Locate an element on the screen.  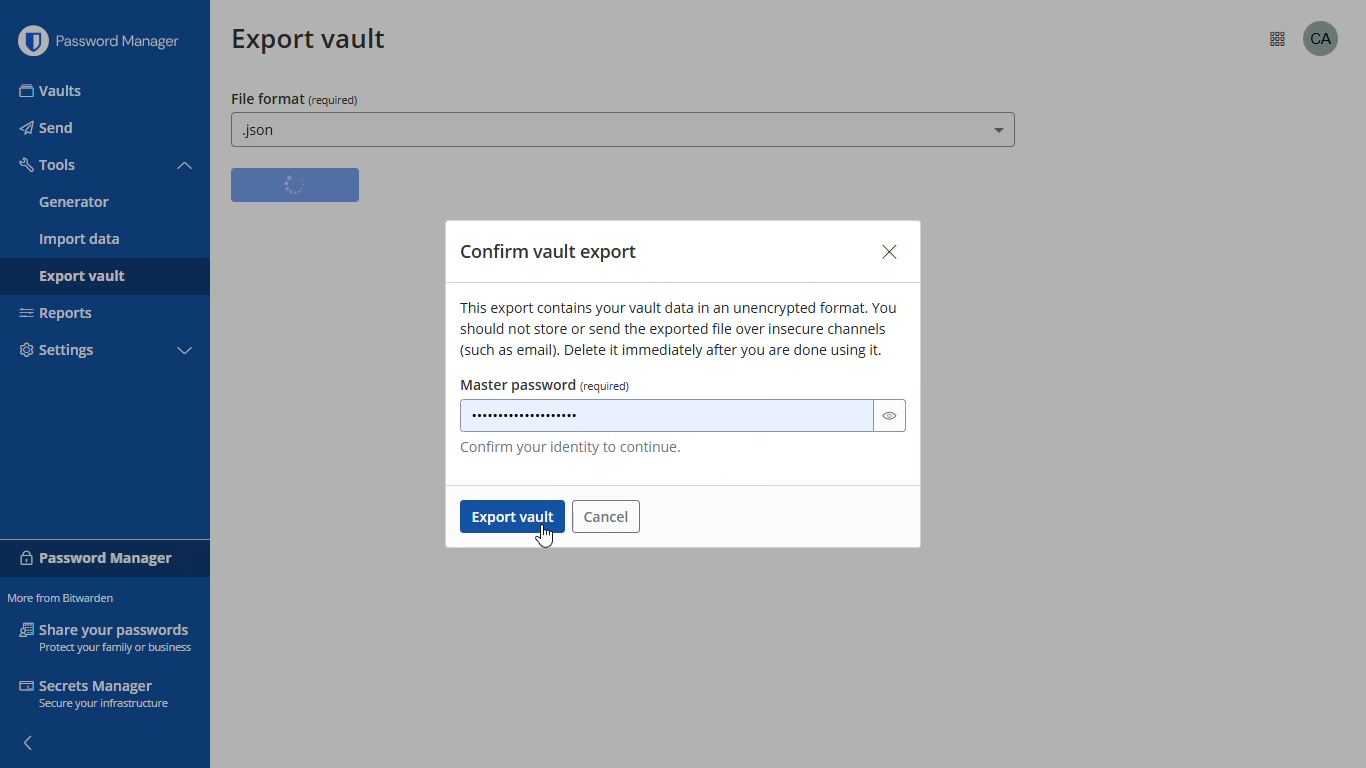
toggle visibility is located at coordinates (890, 415).